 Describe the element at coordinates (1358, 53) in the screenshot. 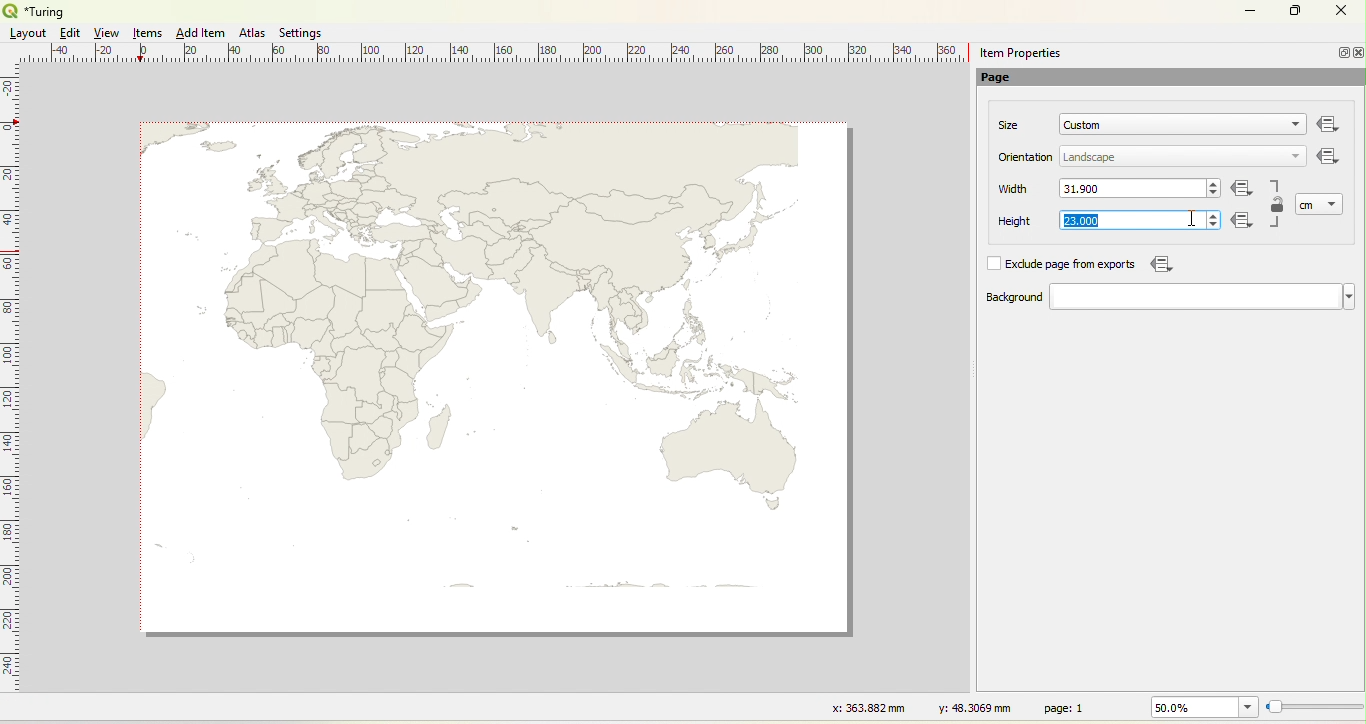

I see `Close` at that location.